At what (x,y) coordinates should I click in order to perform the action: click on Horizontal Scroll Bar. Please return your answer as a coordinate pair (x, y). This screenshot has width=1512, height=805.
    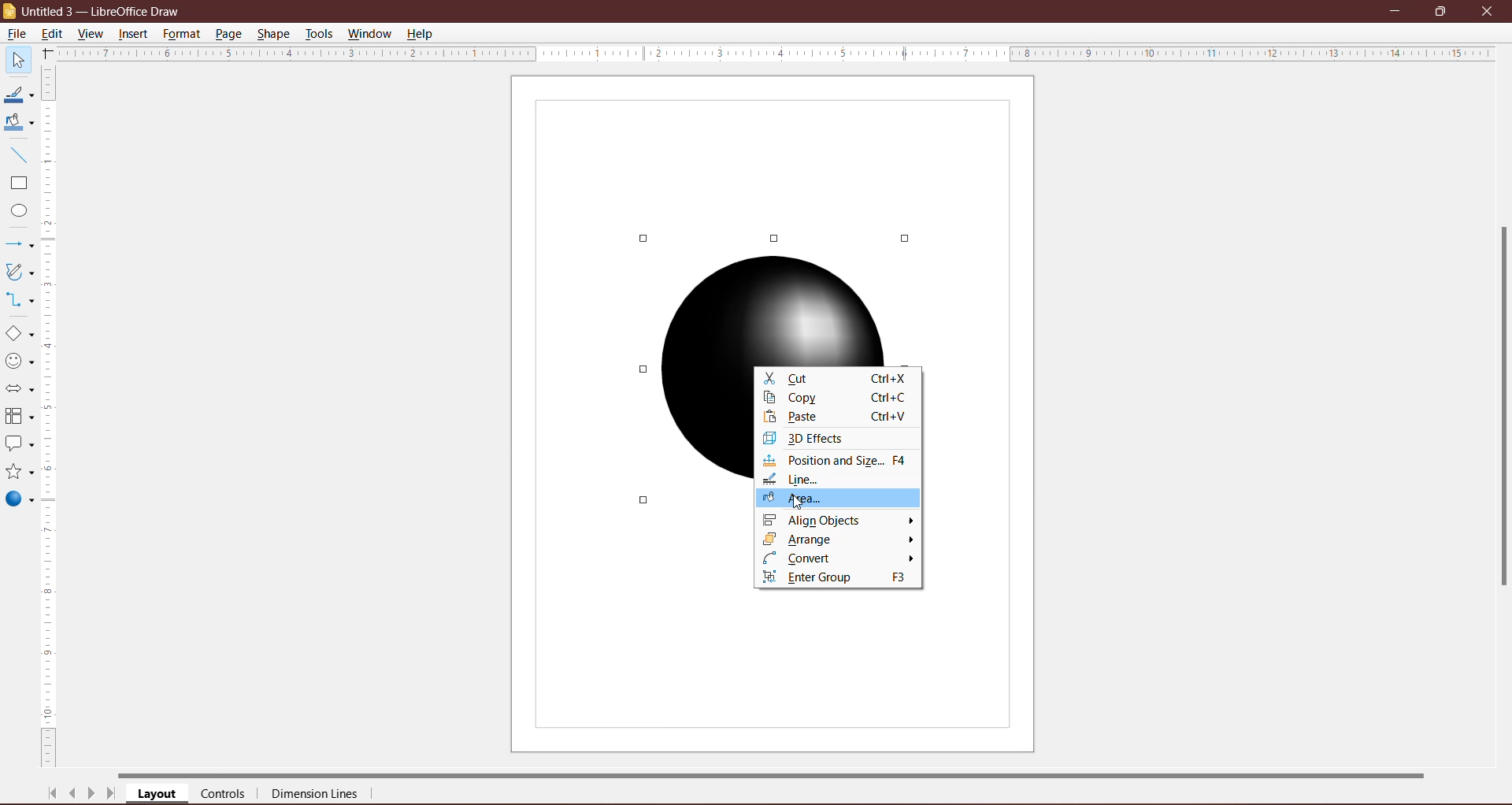
    Looking at the image, I should click on (788, 773).